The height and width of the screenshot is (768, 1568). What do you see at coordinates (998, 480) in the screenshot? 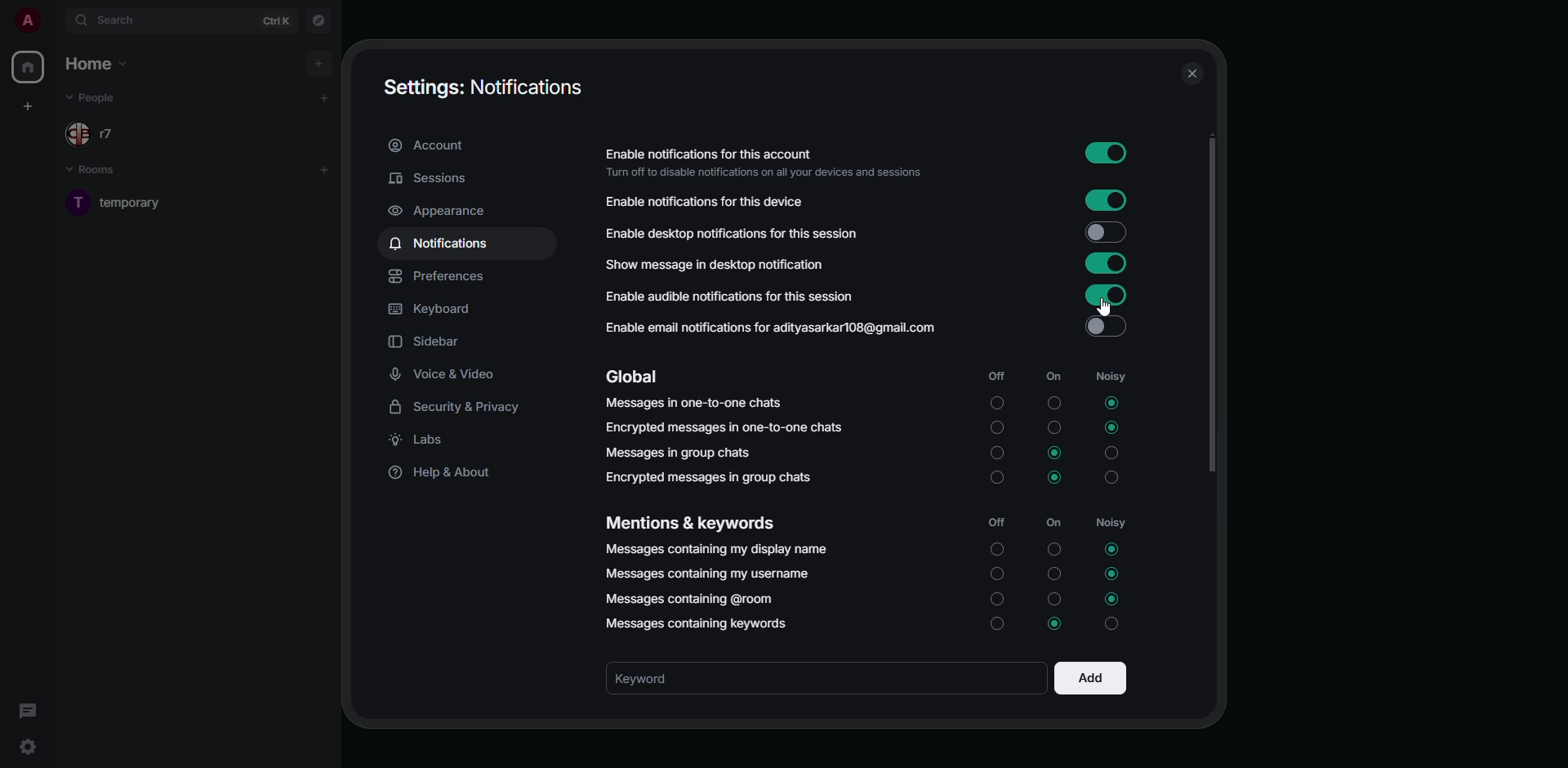
I see `off` at bounding box center [998, 480].